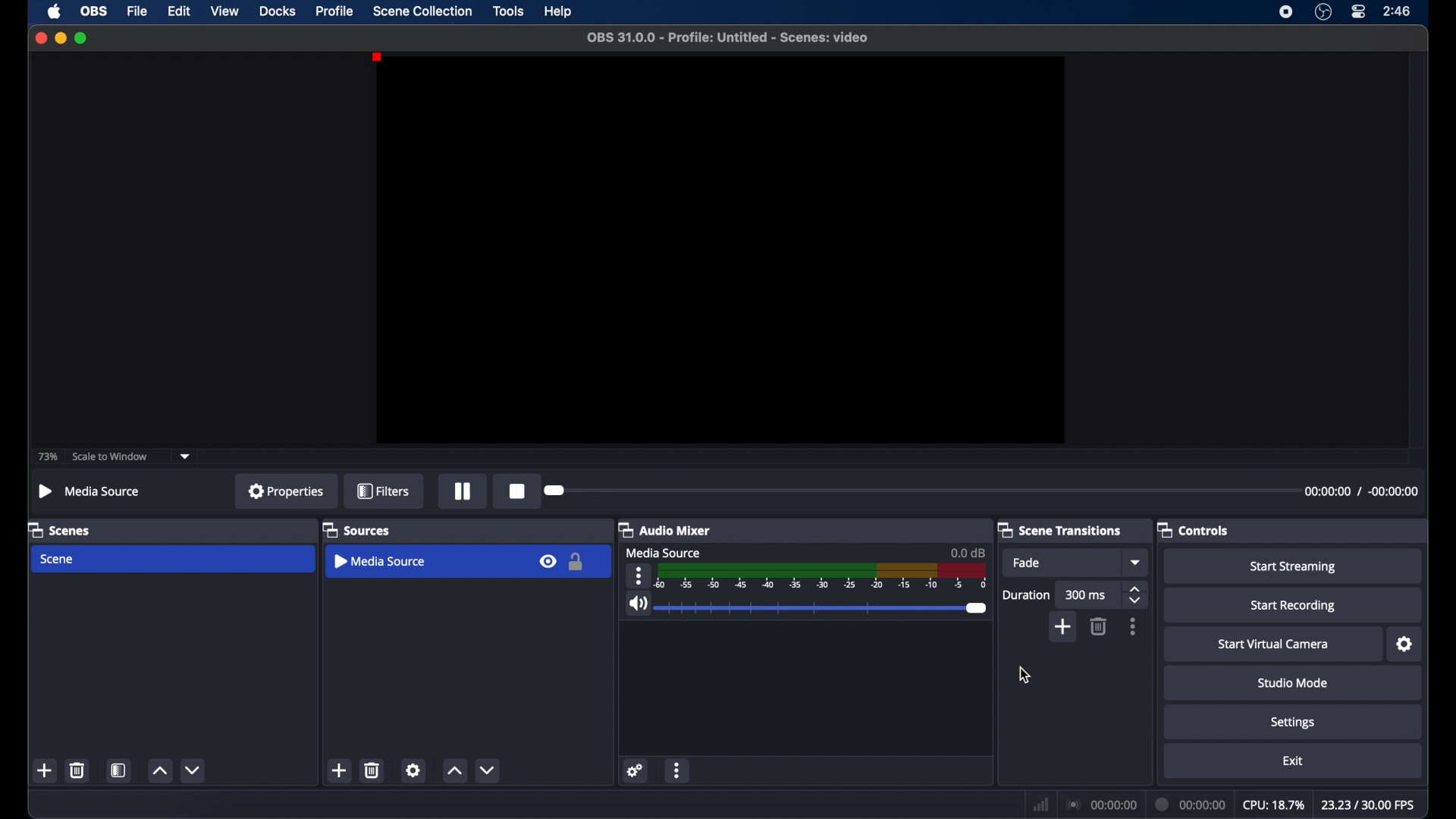 This screenshot has height=819, width=1456. Describe the element at coordinates (1367, 805) in the screenshot. I see `fps` at that location.